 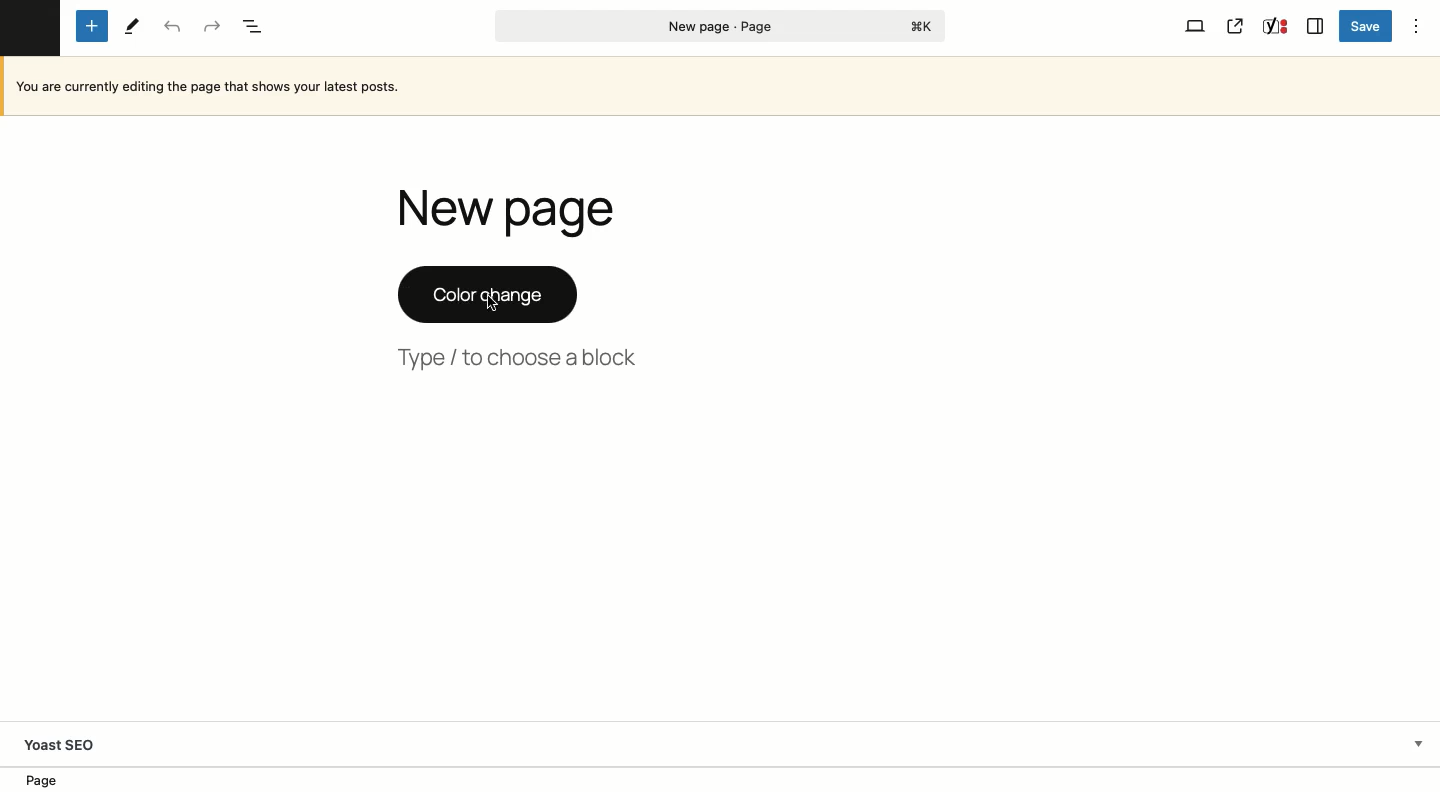 I want to click on Save, so click(x=1366, y=27).